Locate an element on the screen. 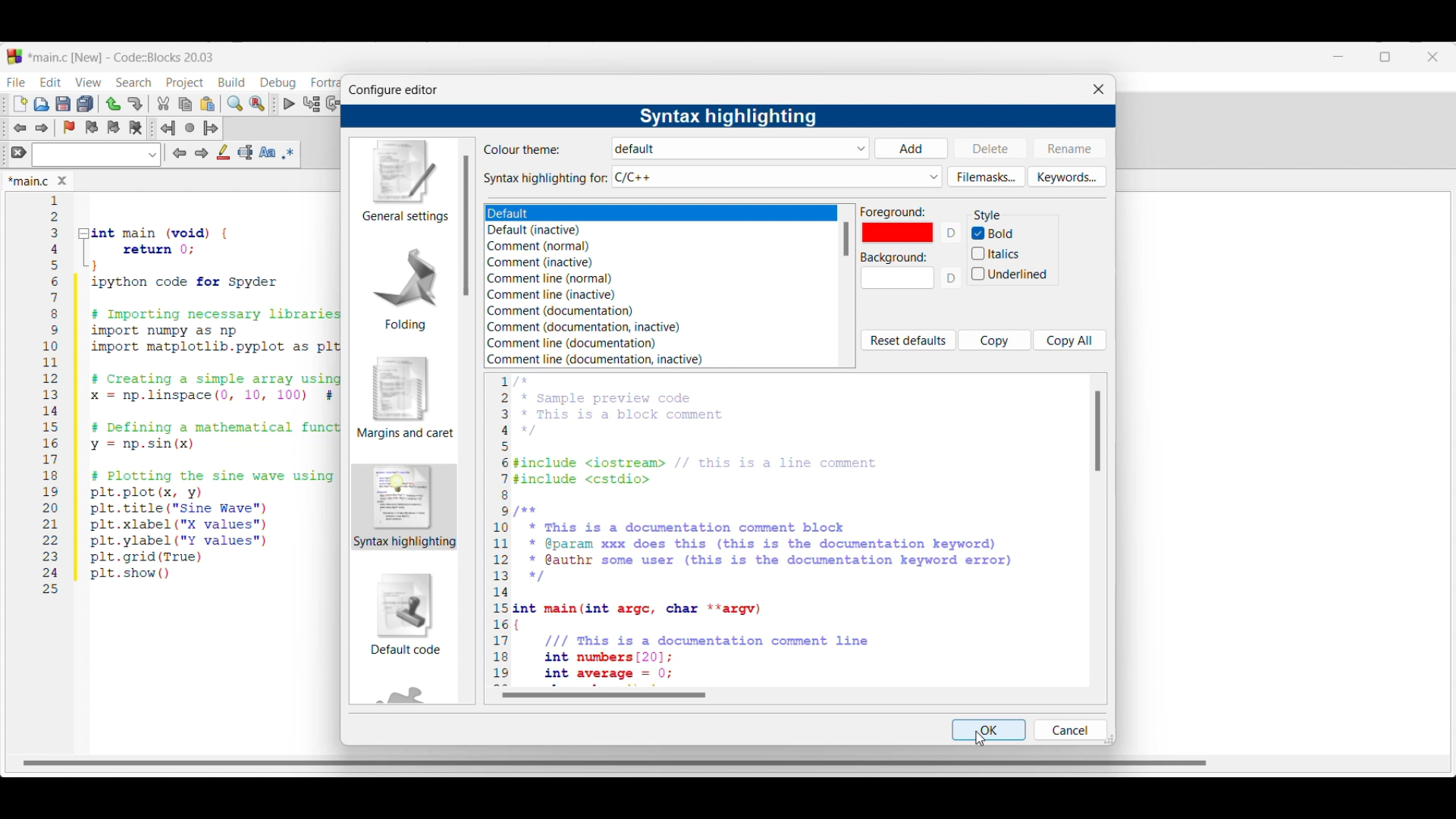 This screenshot has width=1456, height=819. Find is located at coordinates (235, 103).